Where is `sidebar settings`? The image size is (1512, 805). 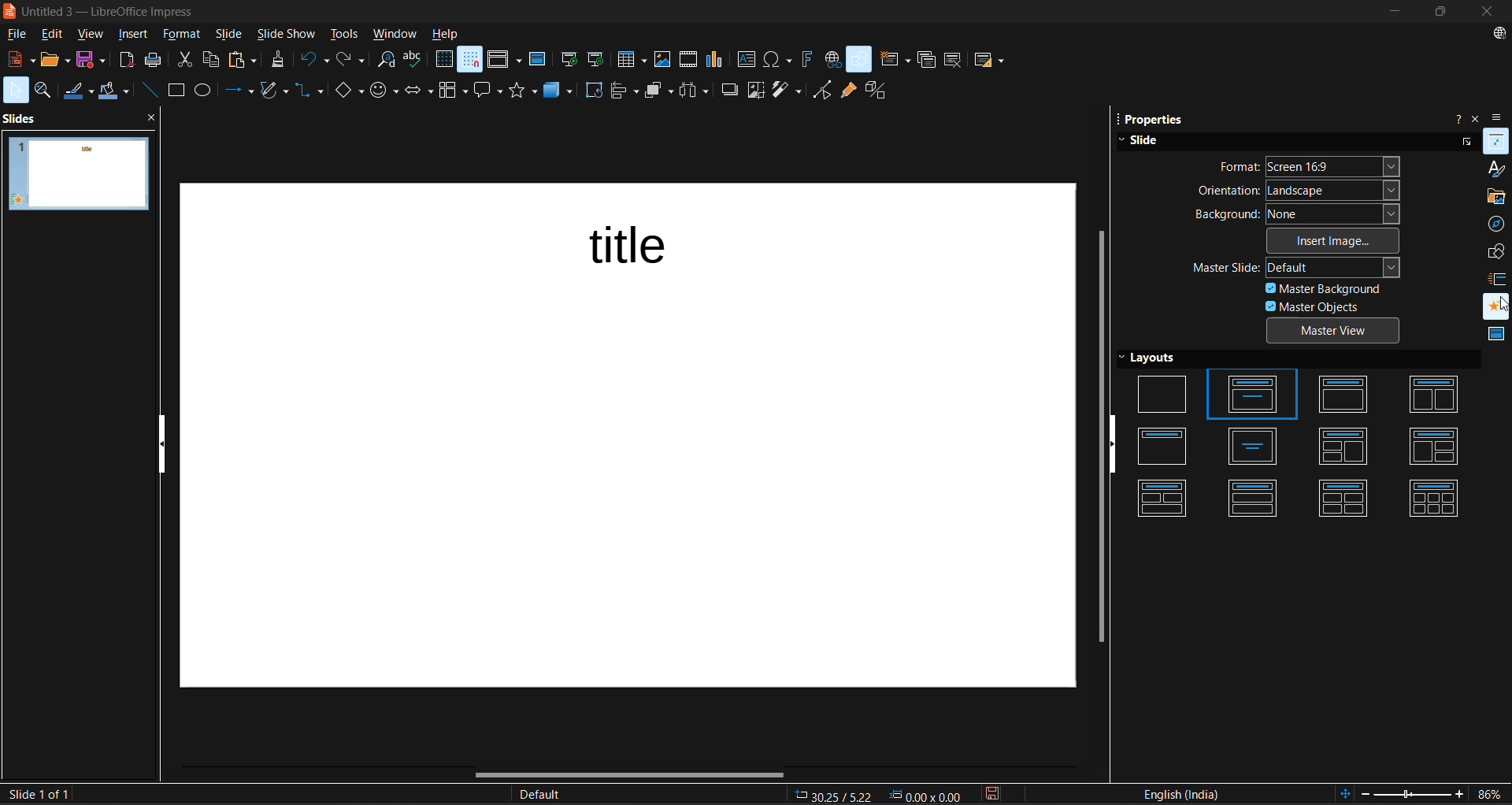
sidebar settings is located at coordinates (1499, 119).